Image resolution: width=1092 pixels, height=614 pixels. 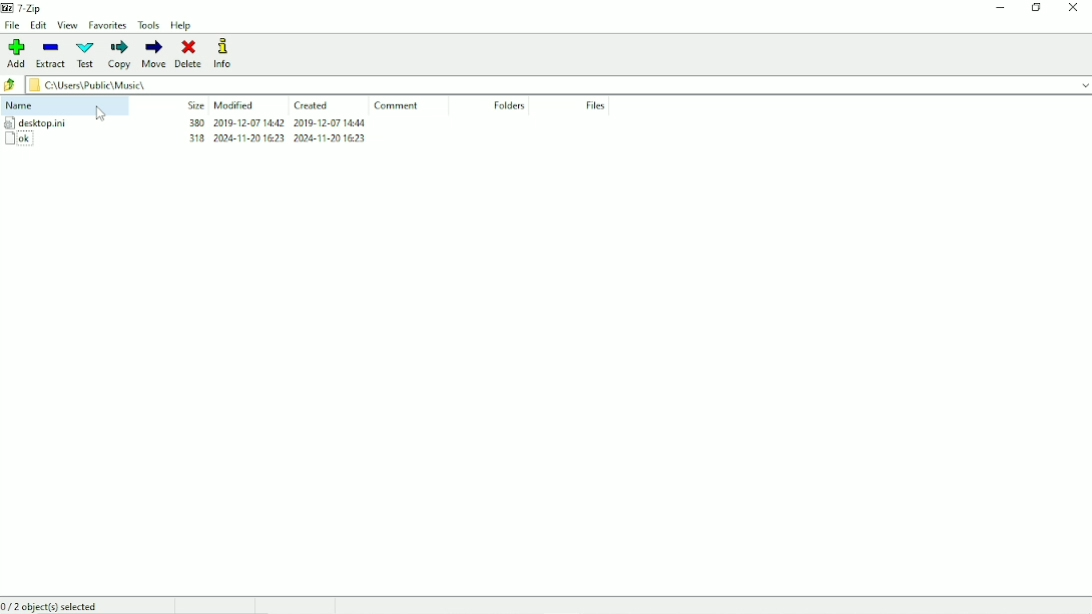 What do you see at coordinates (86, 54) in the screenshot?
I see `Test` at bounding box center [86, 54].